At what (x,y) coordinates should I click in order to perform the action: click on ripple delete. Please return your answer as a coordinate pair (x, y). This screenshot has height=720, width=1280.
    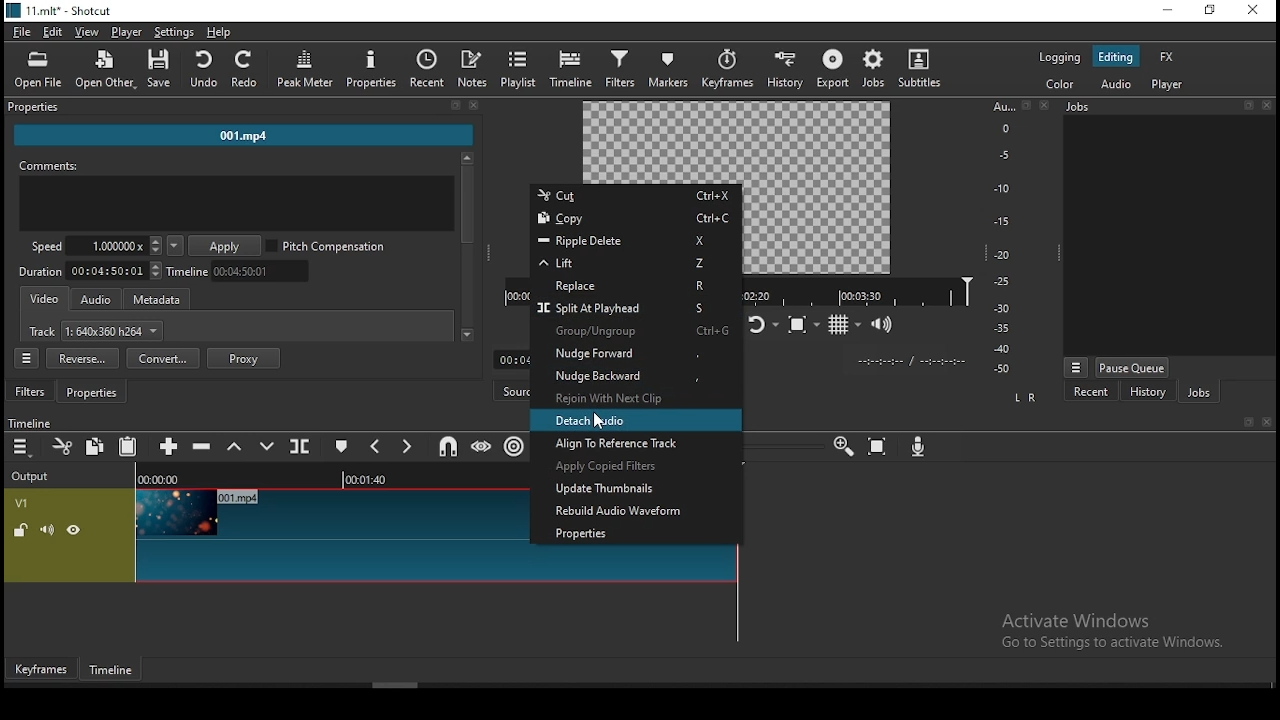
    Looking at the image, I should click on (204, 446).